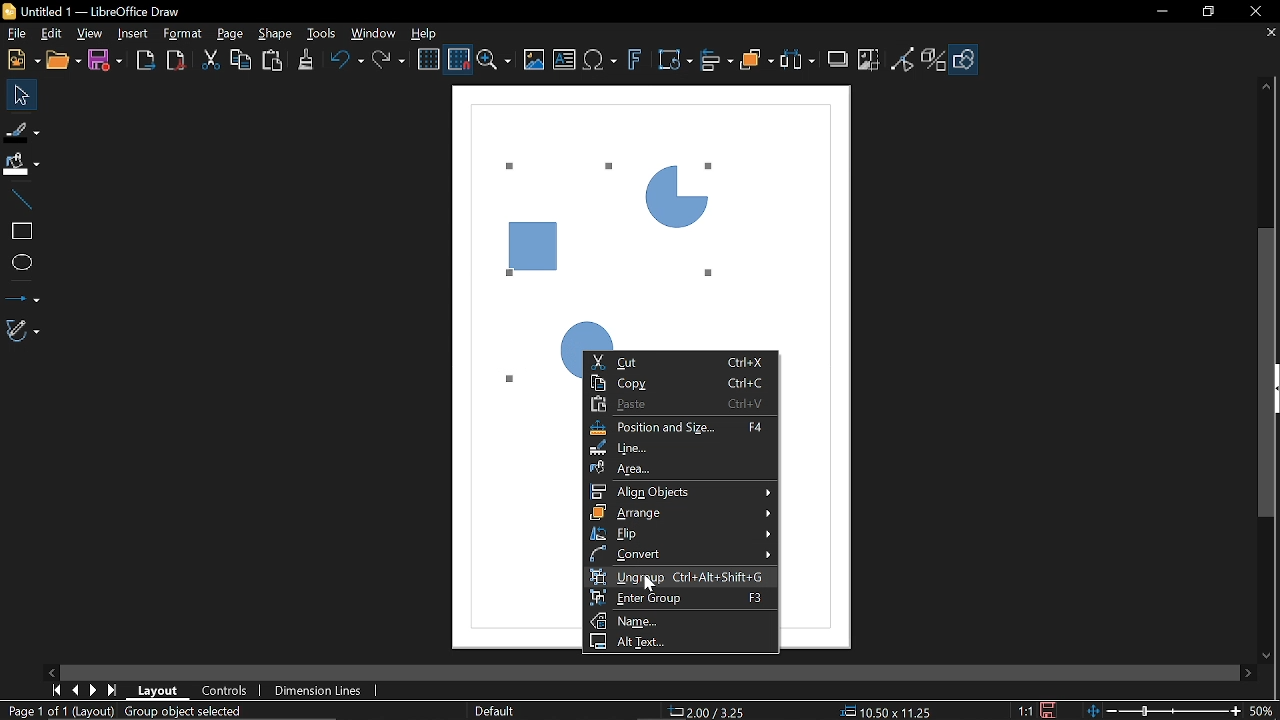 This screenshot has height=720, width=1280. I want to click on restore down, so click(1205, 13).